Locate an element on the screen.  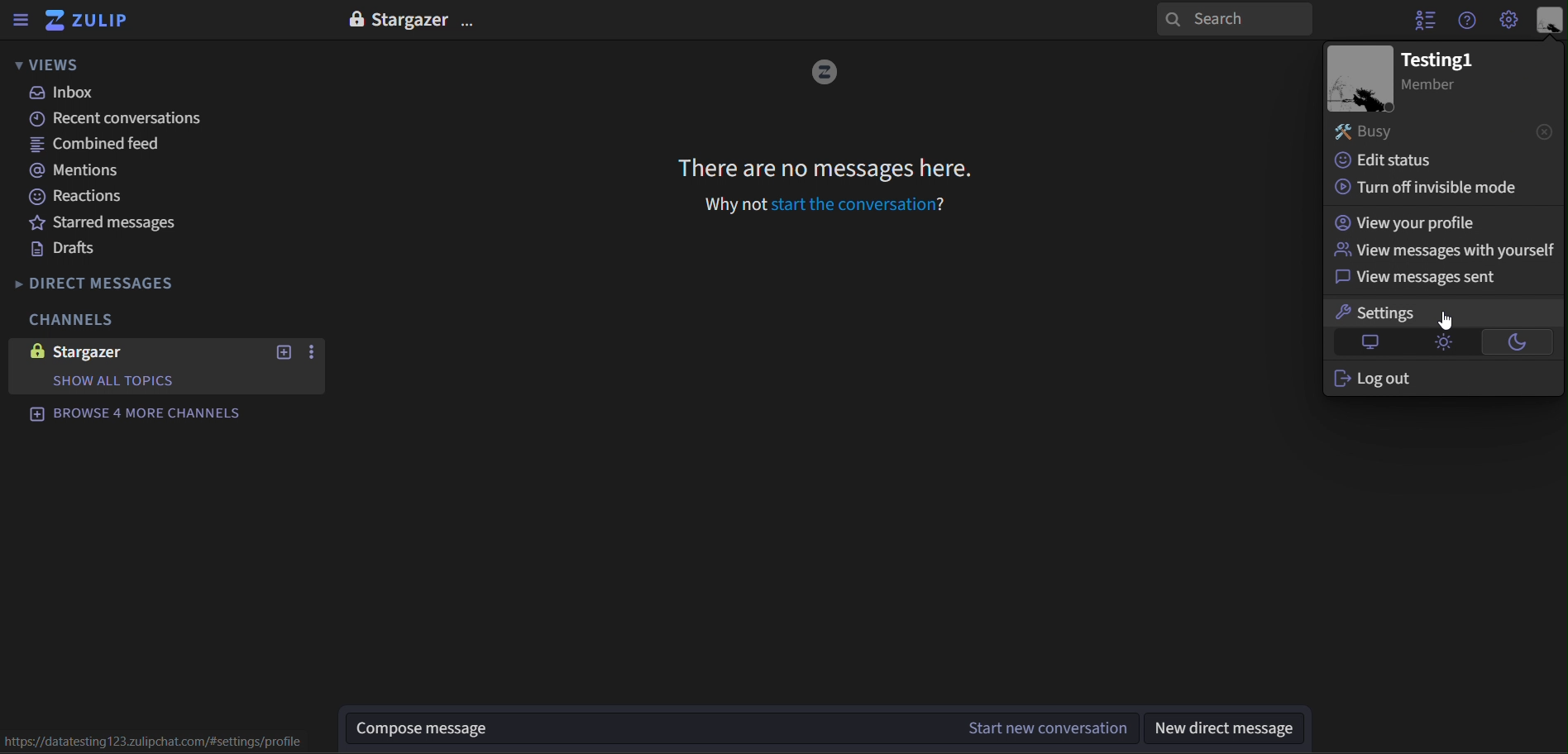
default theme is located at coordinates (1366, 343).